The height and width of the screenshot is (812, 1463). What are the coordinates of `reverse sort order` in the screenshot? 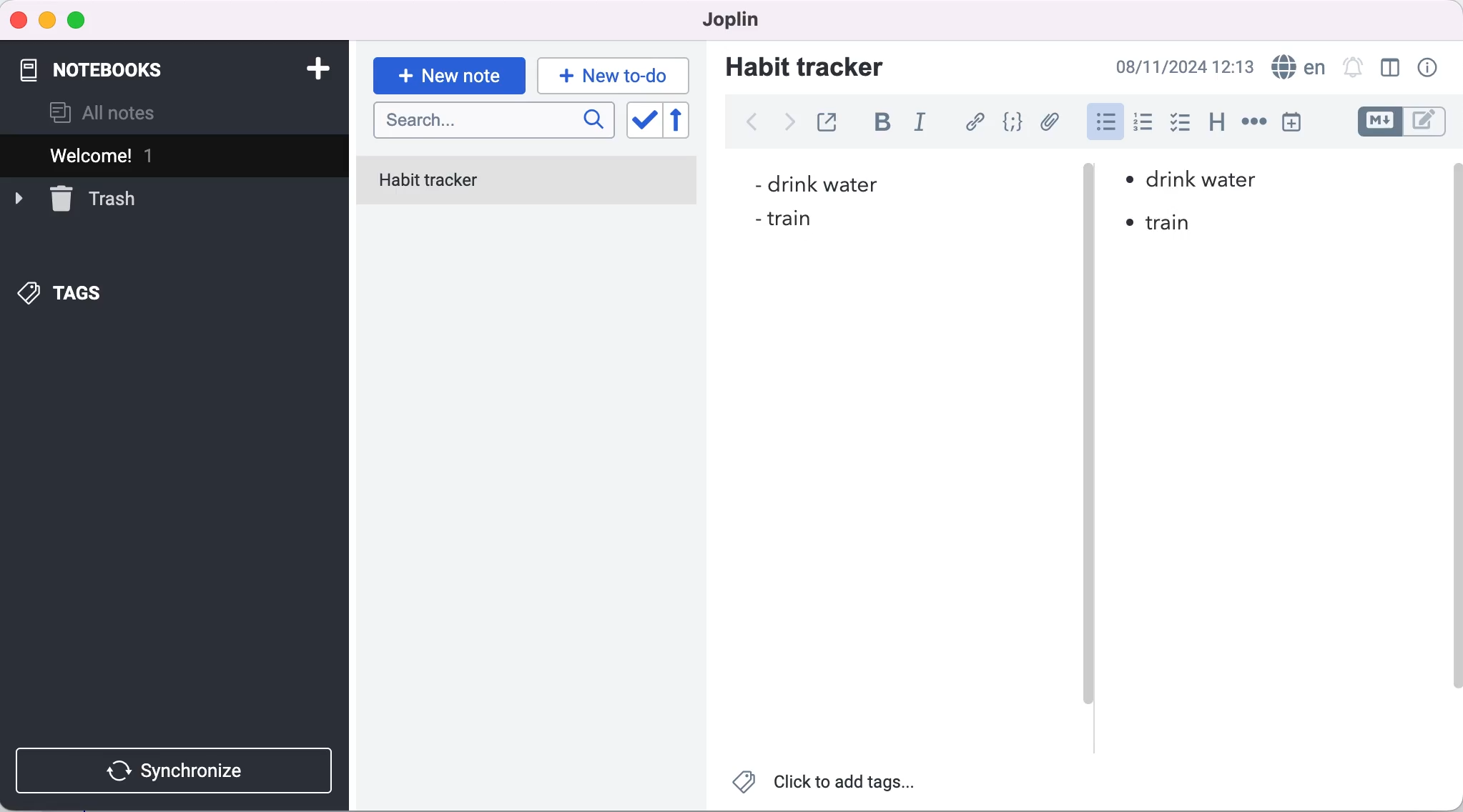 It's located at (686, 121).